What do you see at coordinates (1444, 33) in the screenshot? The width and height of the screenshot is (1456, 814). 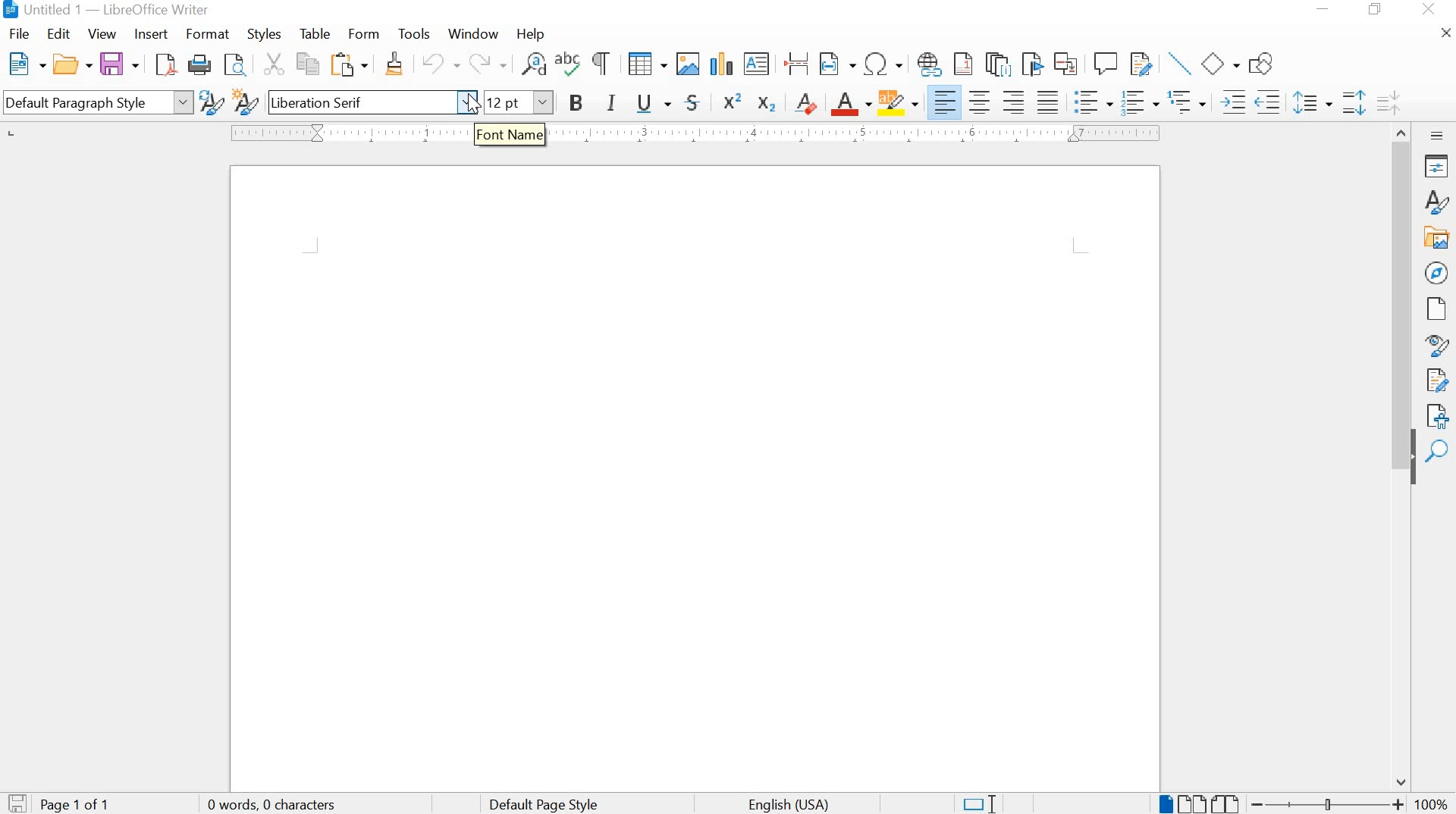 I see `CLOSE DOCUMENT` at bounding box center [1444, 33].